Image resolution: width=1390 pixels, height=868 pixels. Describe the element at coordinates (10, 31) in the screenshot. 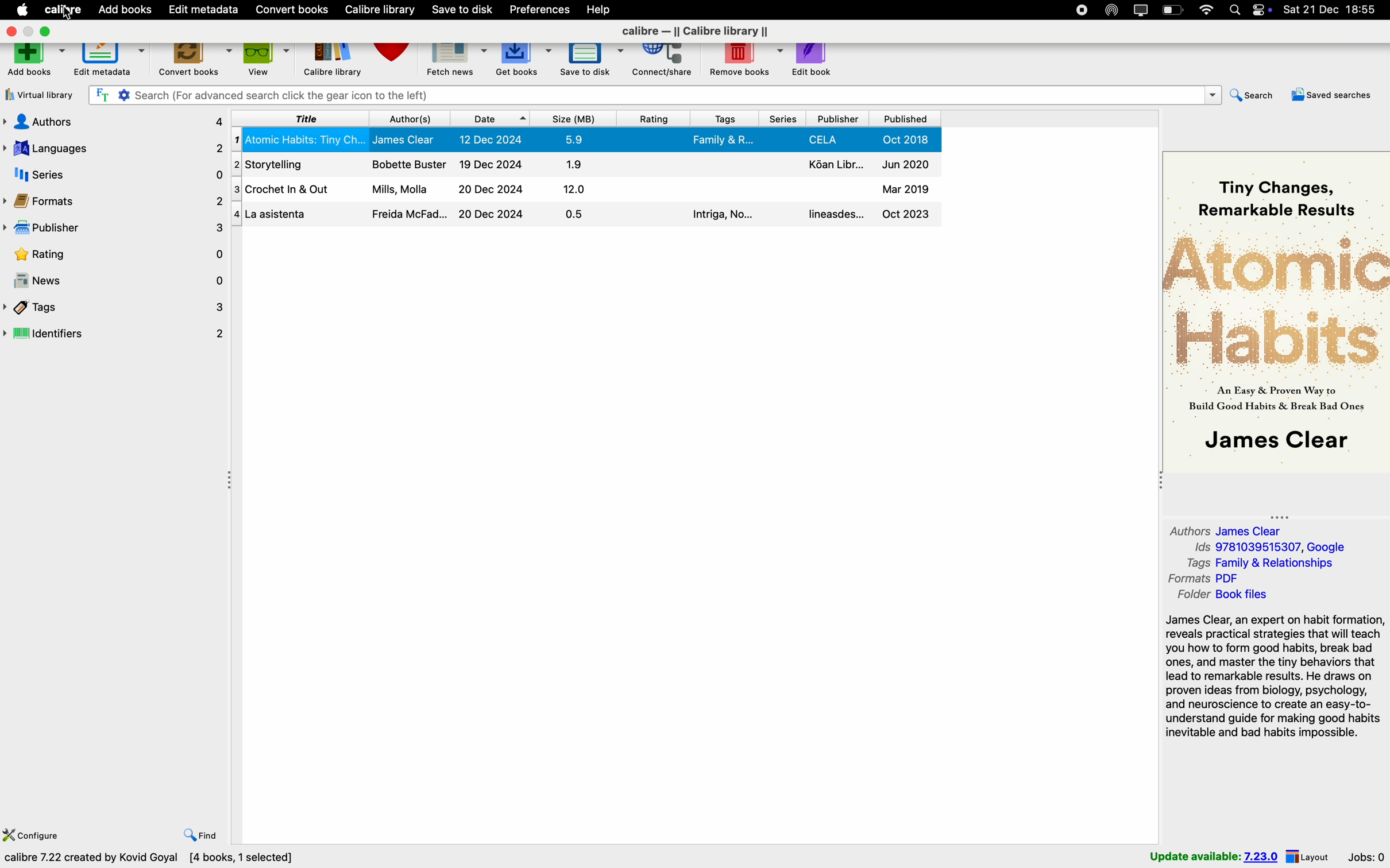

I see `close Calibre` at that location.